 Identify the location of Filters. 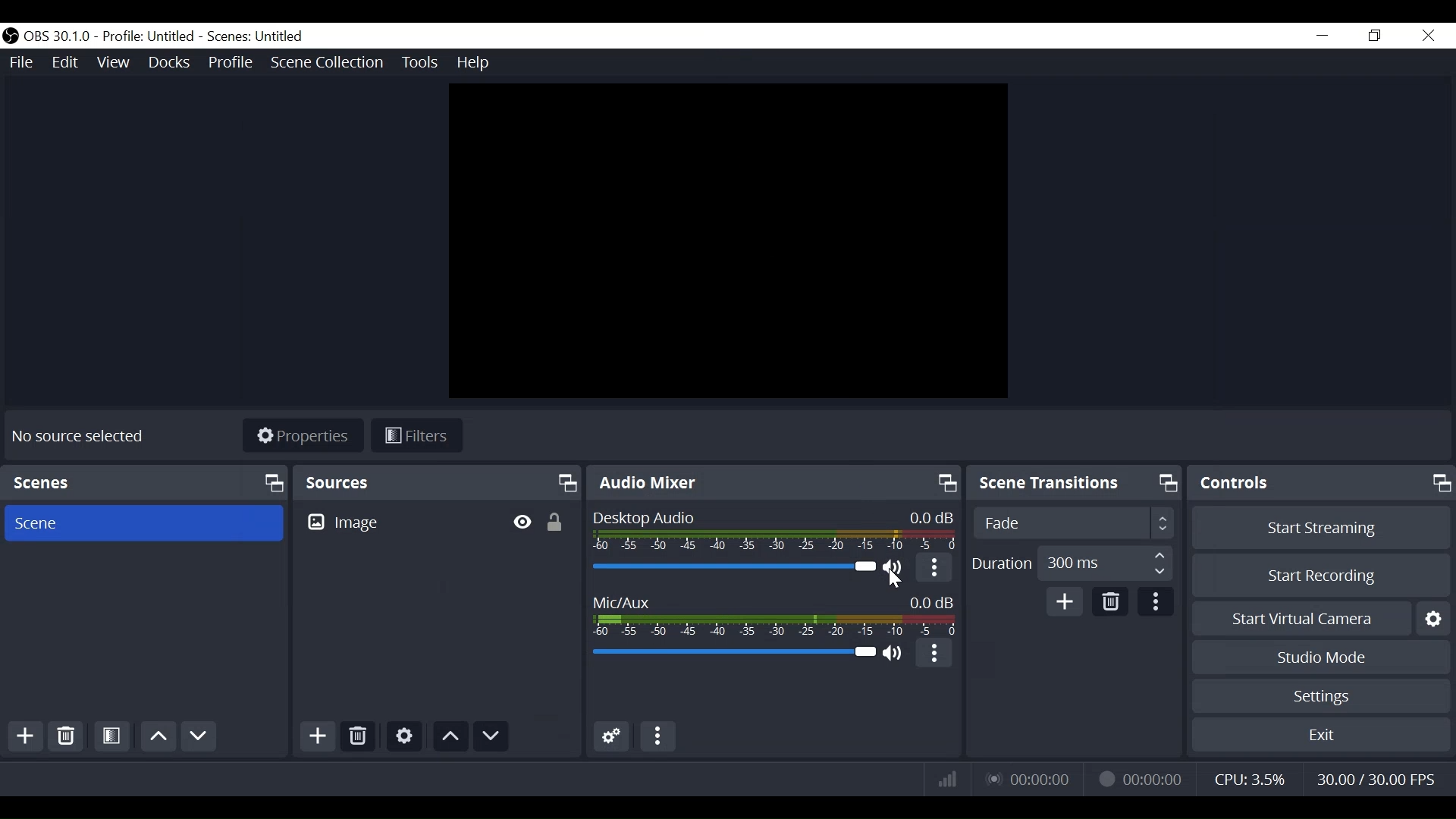
(416, 436).